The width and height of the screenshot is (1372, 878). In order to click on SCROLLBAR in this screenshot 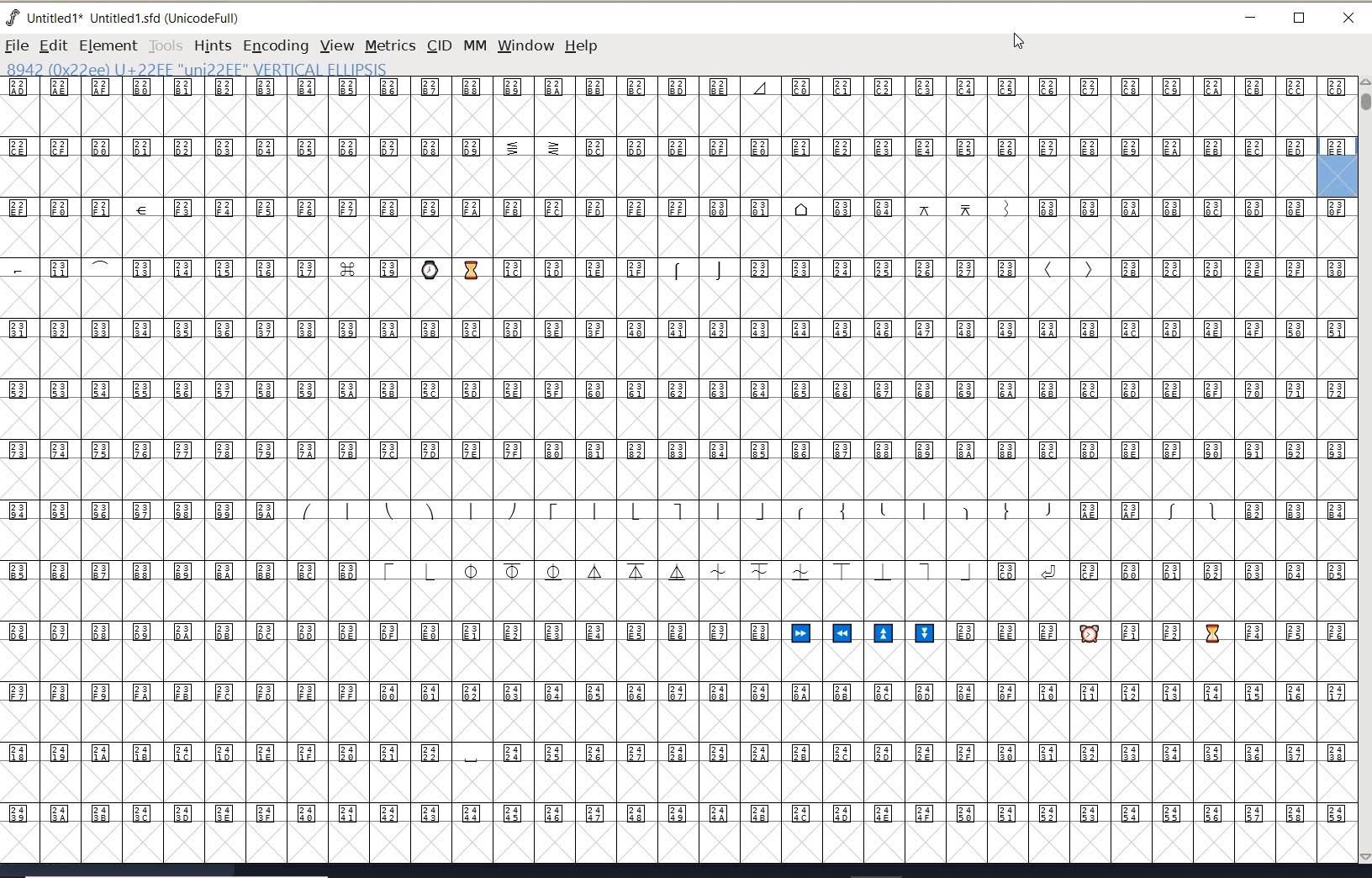, I will do `click(1364, 472)`.